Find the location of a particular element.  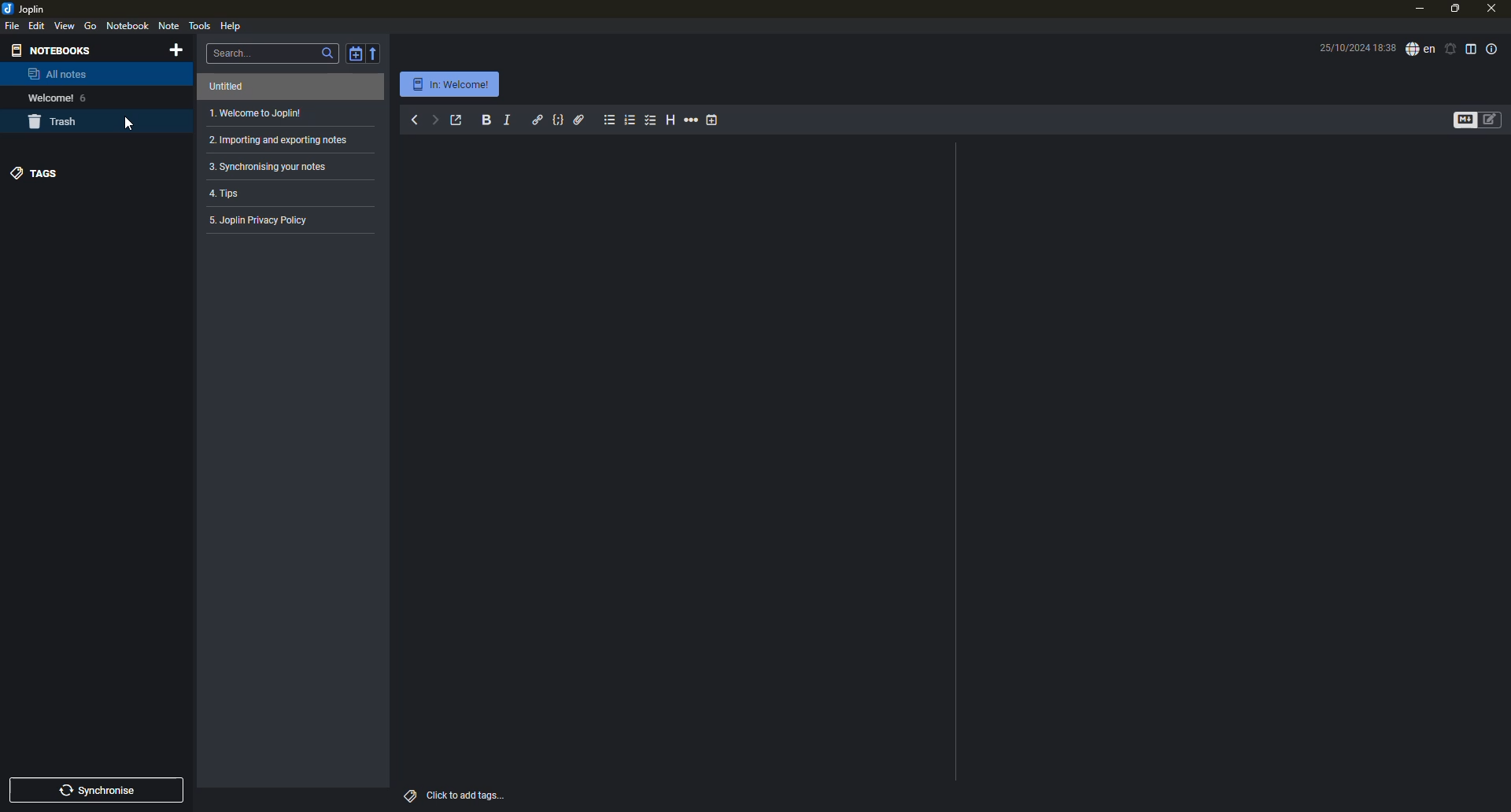

toggle editor layout is located at coordinates (1471, 48).